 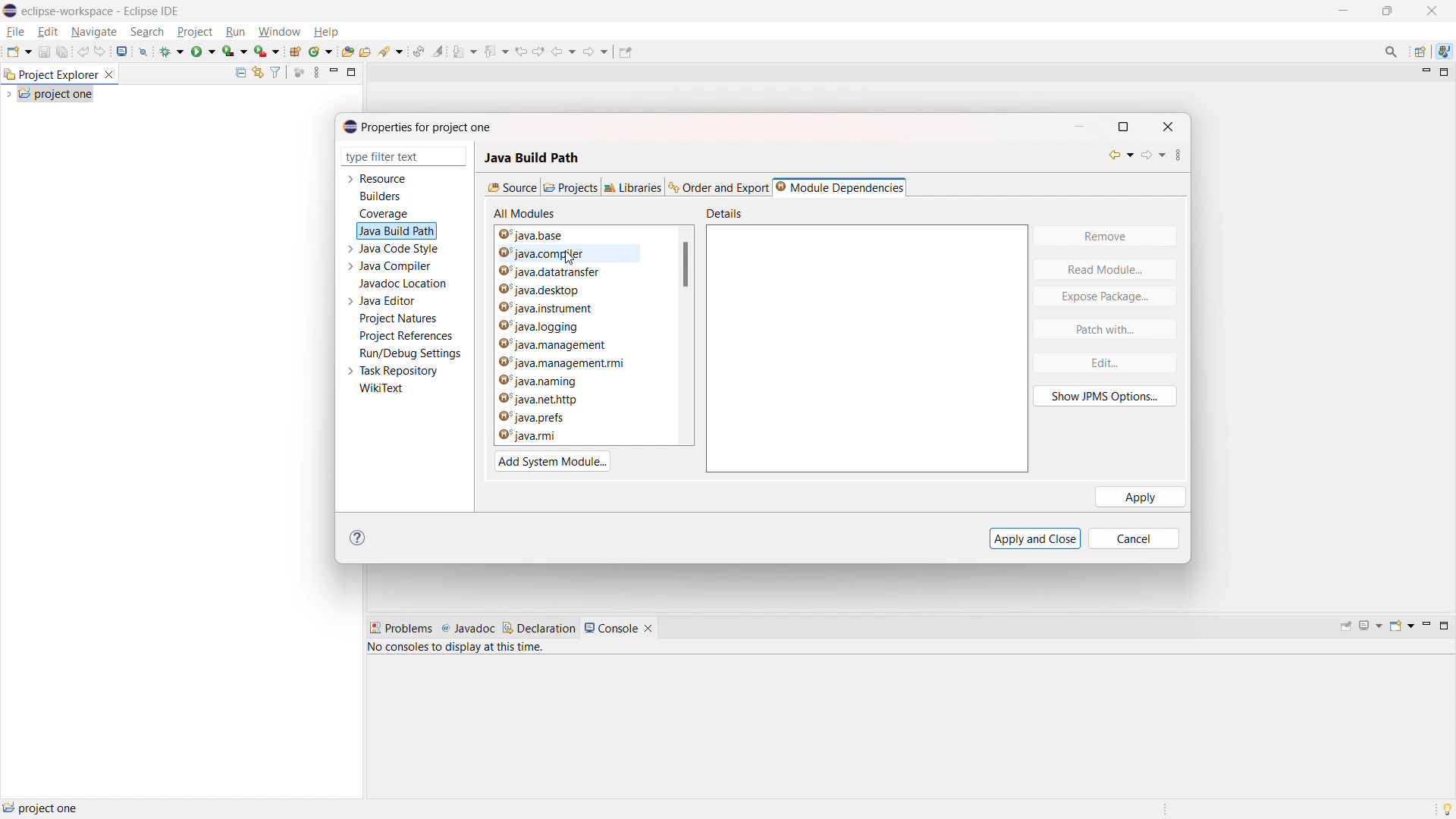 I want to click on source, so click(x=511, y=187).